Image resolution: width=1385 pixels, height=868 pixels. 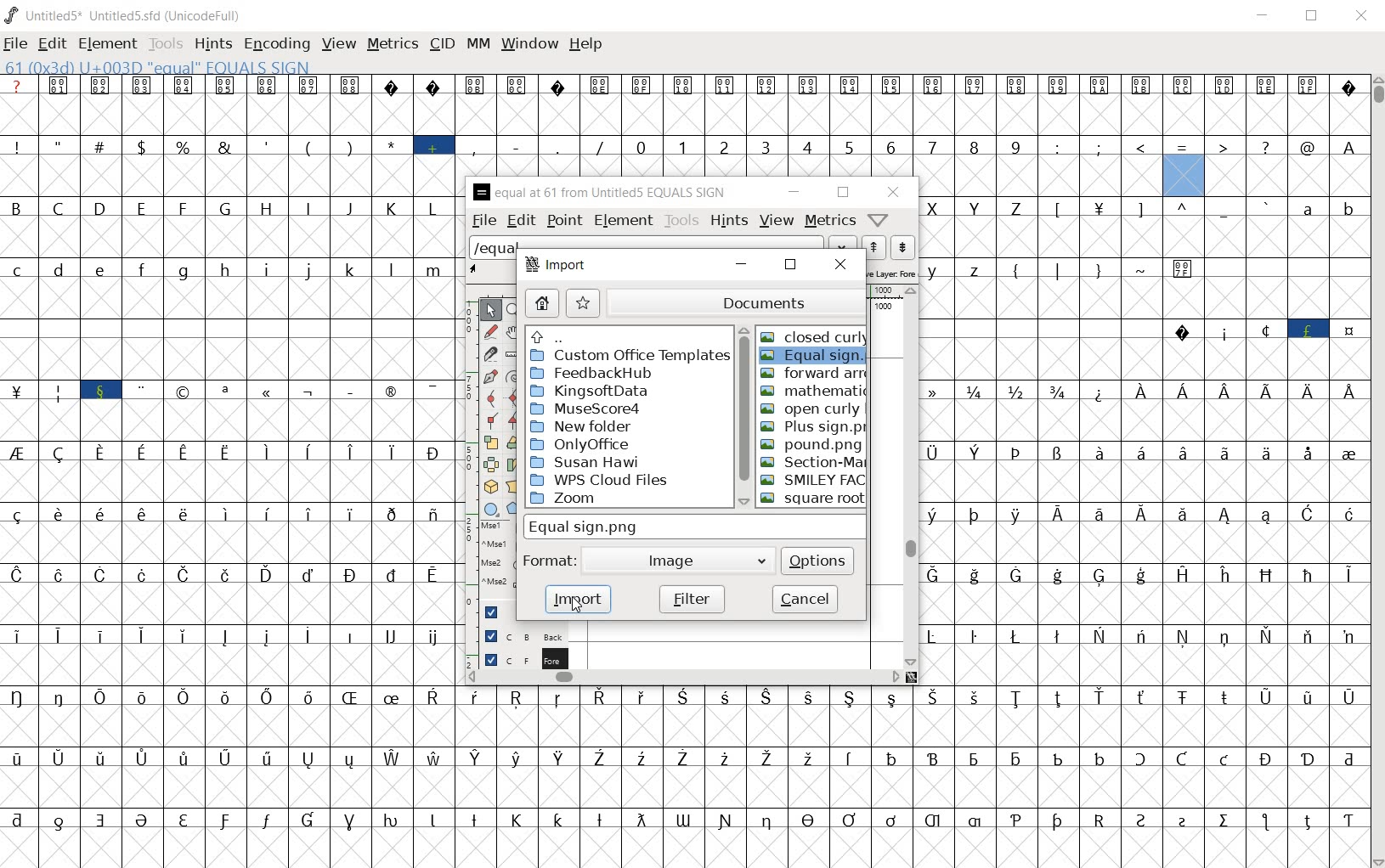 I want to click on window, so click(x=529, y=44).